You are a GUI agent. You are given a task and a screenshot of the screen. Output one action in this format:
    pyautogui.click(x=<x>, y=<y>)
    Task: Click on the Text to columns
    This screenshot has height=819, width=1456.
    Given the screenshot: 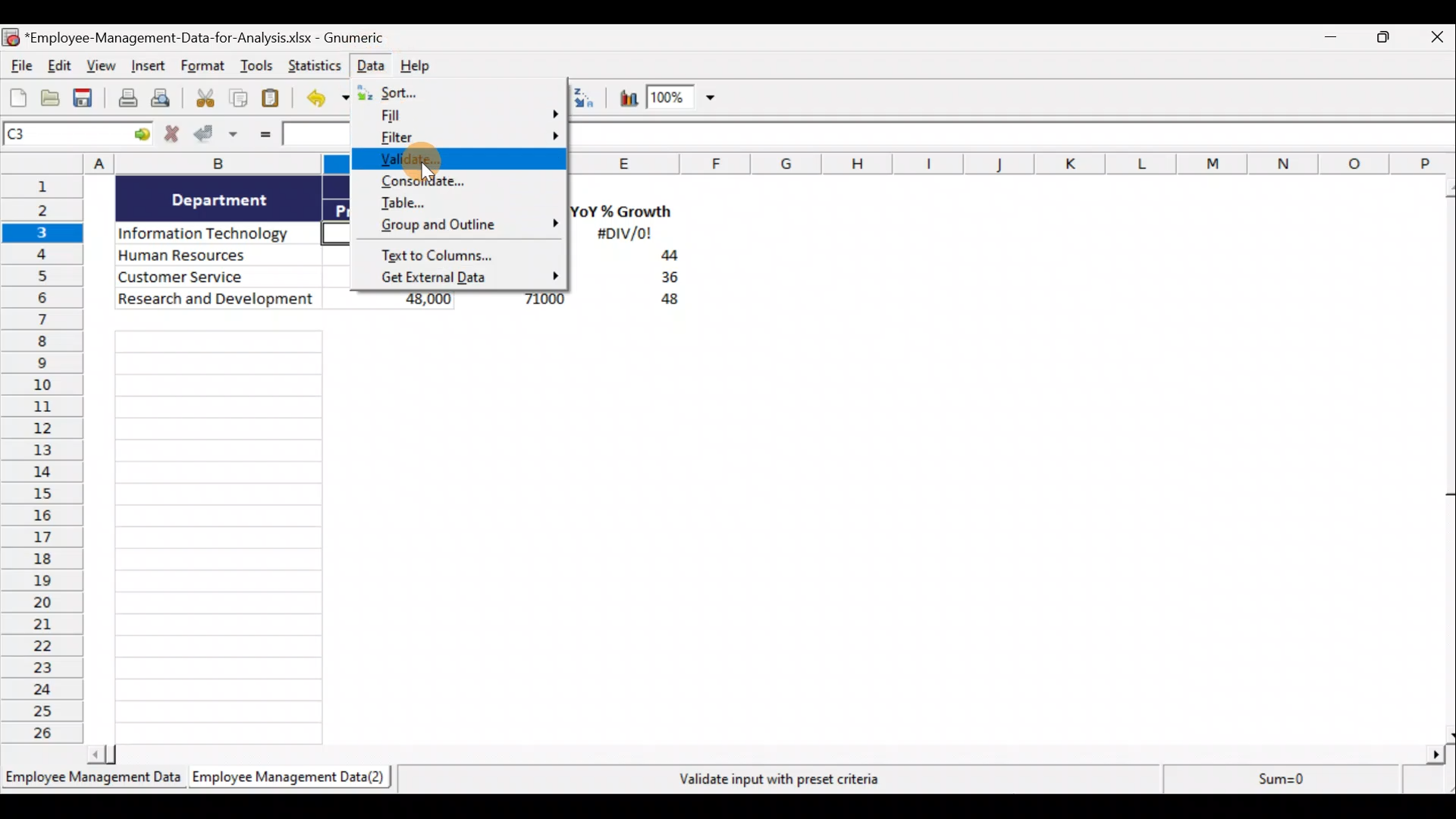 What is the action you would take?
    pyautogui.click(x=460, y=254)
    